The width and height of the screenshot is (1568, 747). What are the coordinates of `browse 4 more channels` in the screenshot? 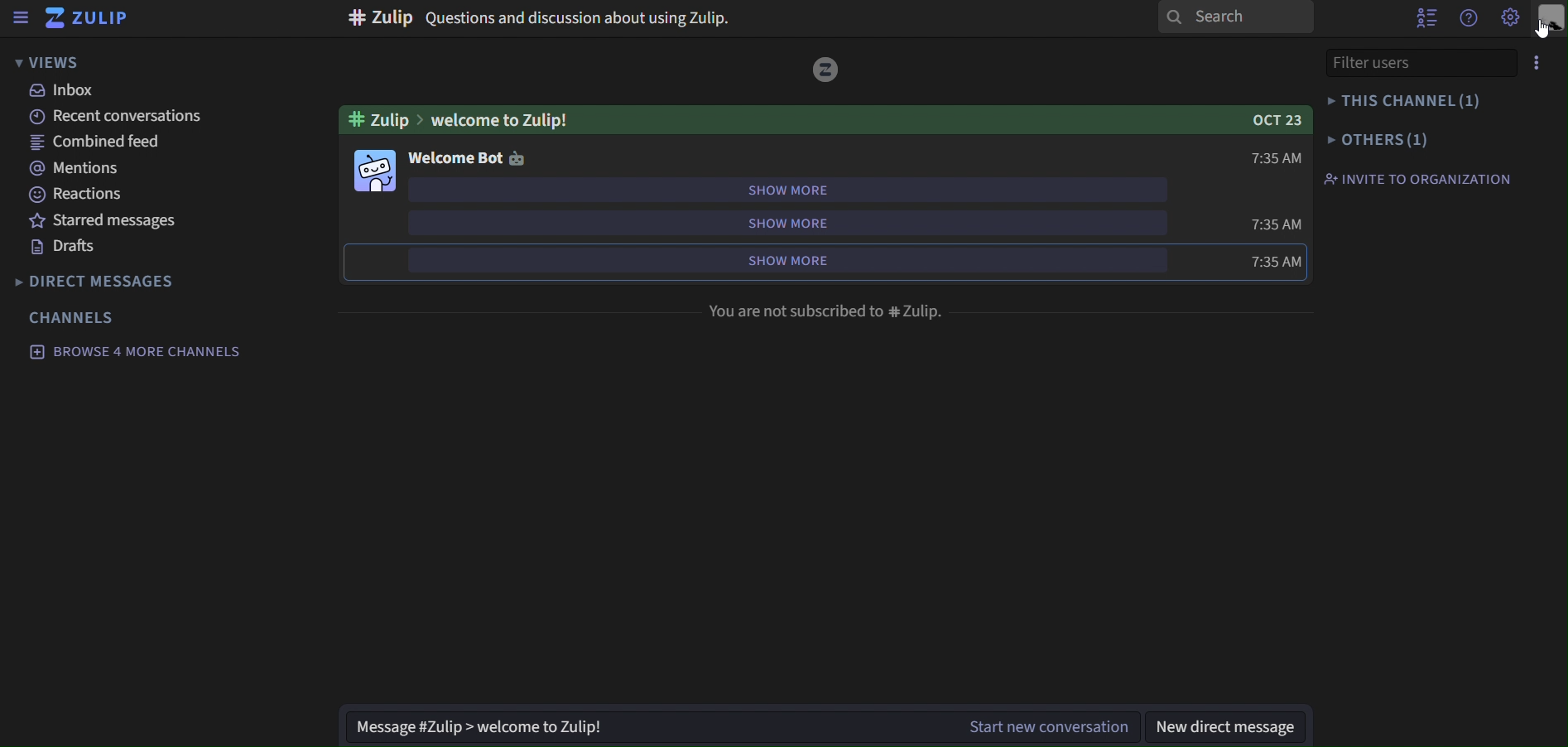 It's located at (135, 350).